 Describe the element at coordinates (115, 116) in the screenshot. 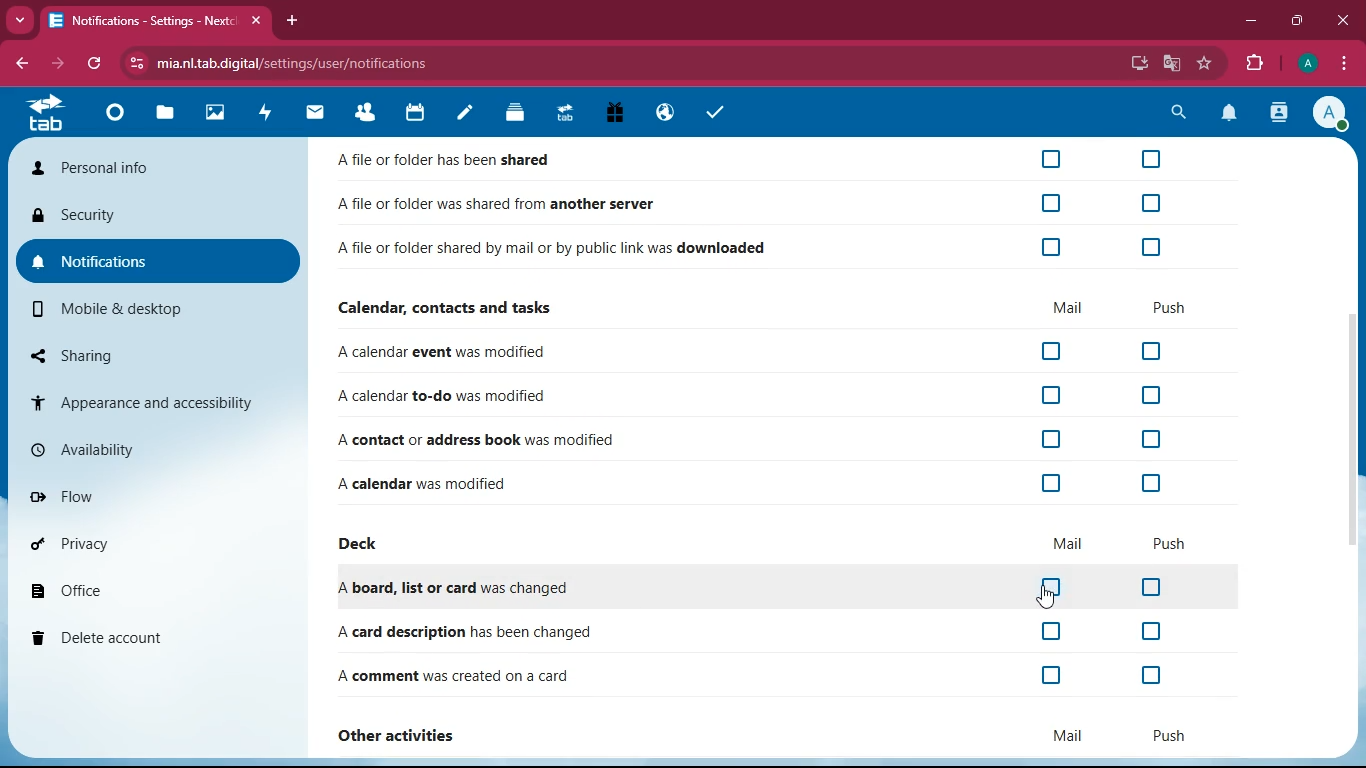

I see `Dashboard` at that location.